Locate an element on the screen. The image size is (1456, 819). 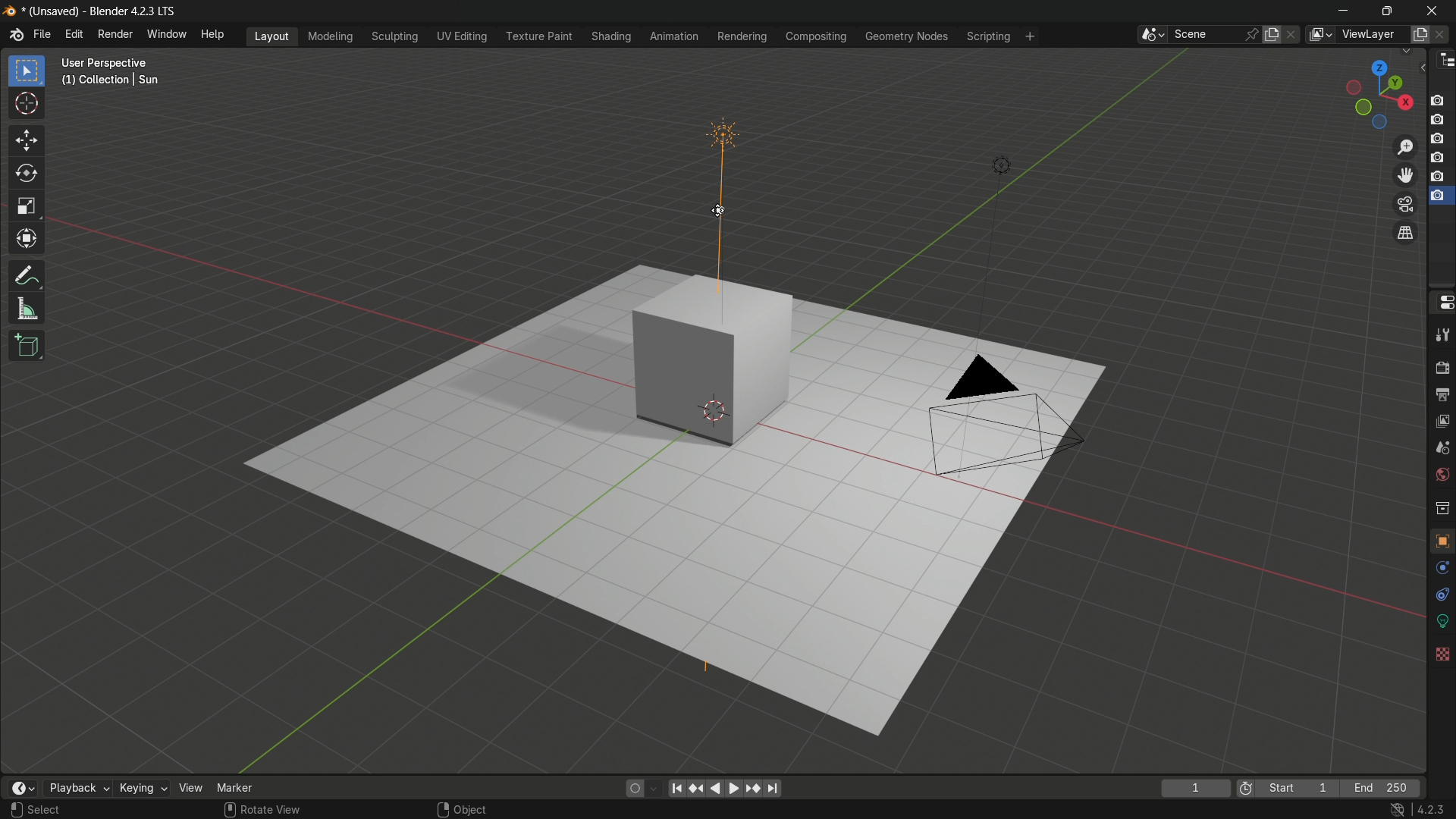
layer 3 is located at coordinates (1438, 138).